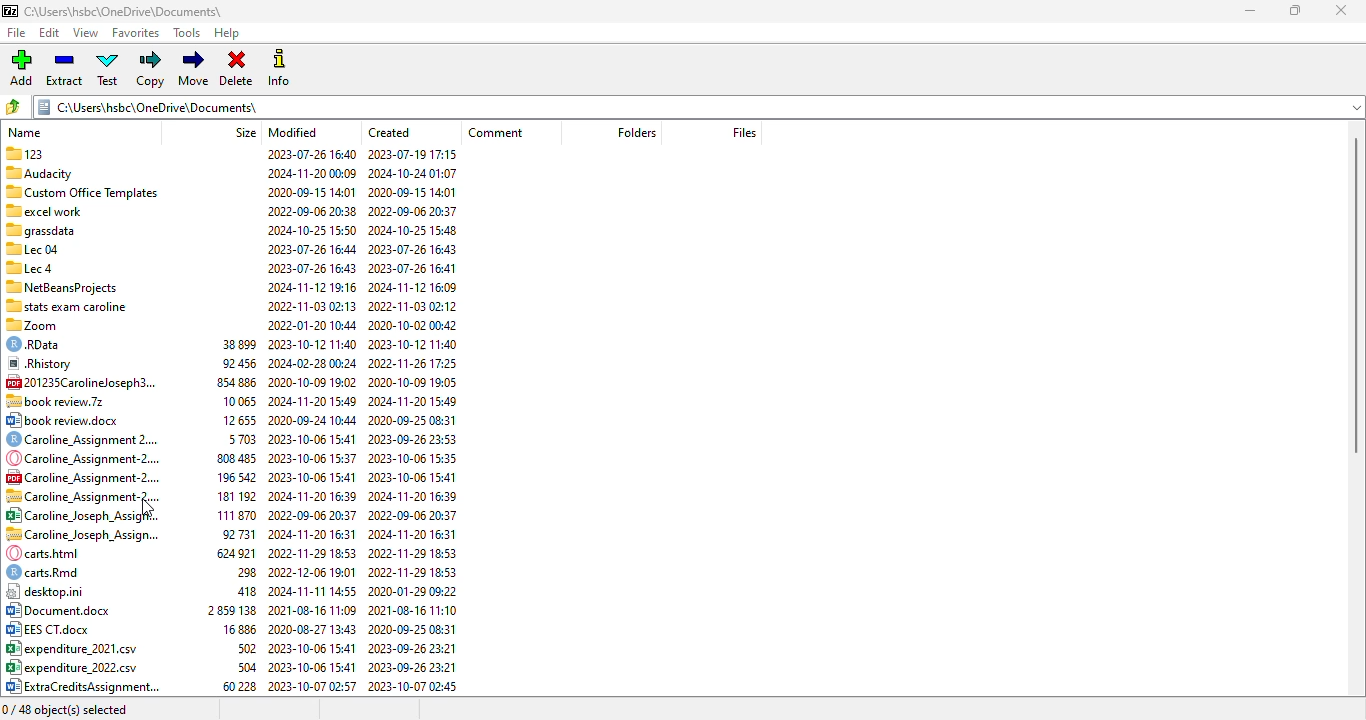 The image size is (1366, 720). I want to click on created, so click(389, 132).